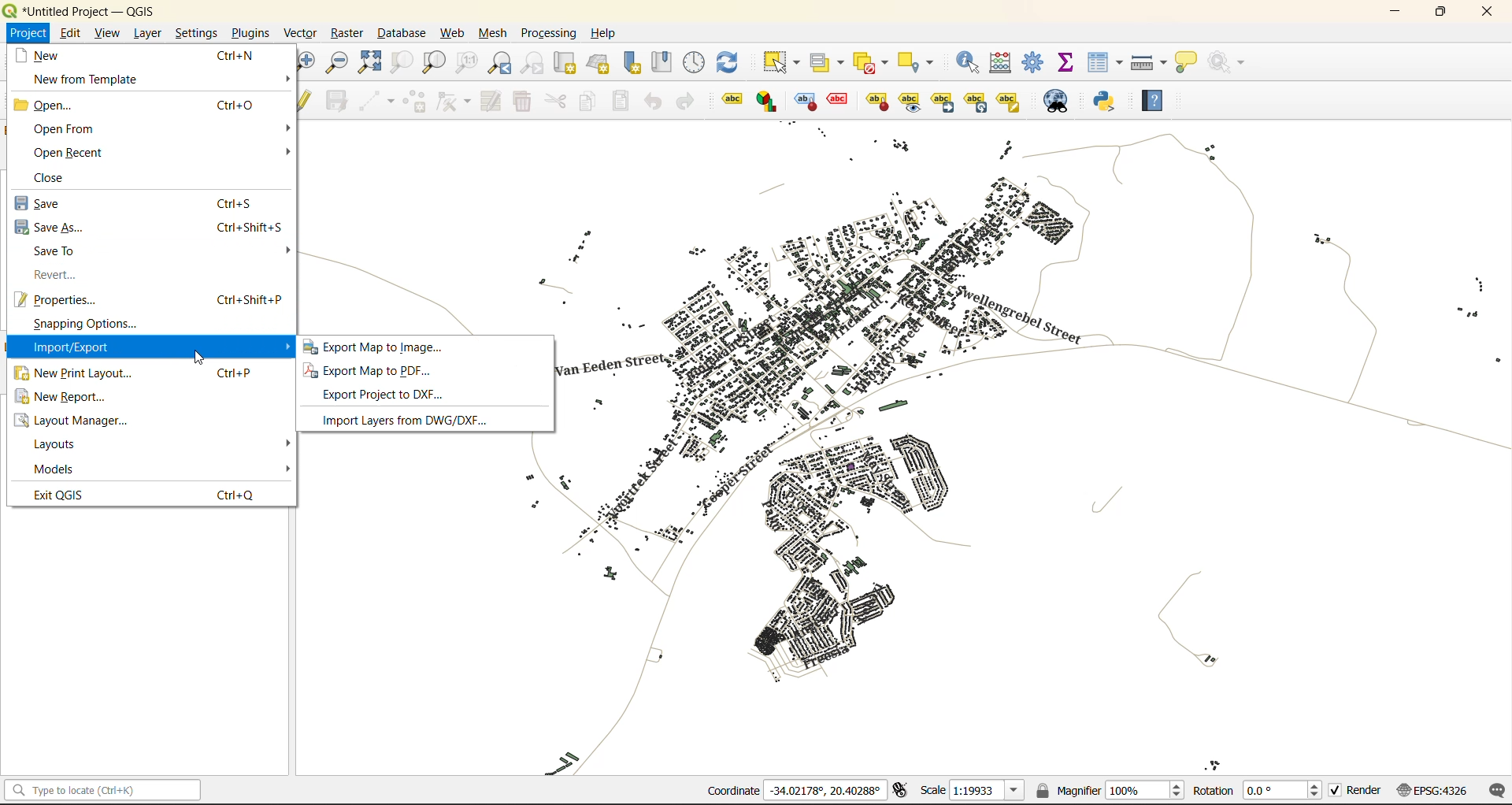 Image resolution: width=1512 pixels, height=805 pixels. Describe the element at coordinates (70, 400) in the screenshot. I see `new report` at that location.